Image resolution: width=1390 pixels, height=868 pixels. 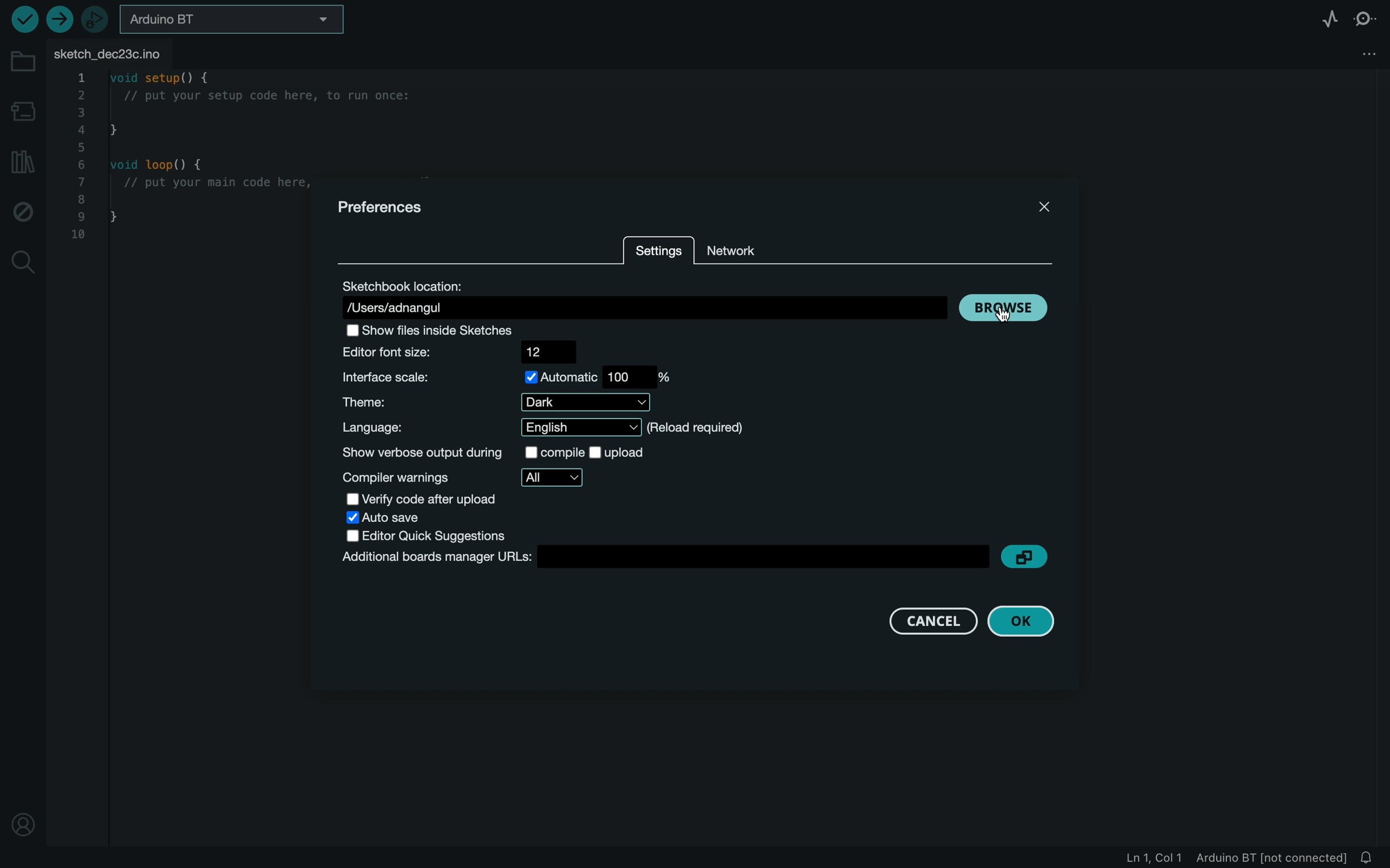 I want to click on FILE TAB, so click(x=115, y=56).